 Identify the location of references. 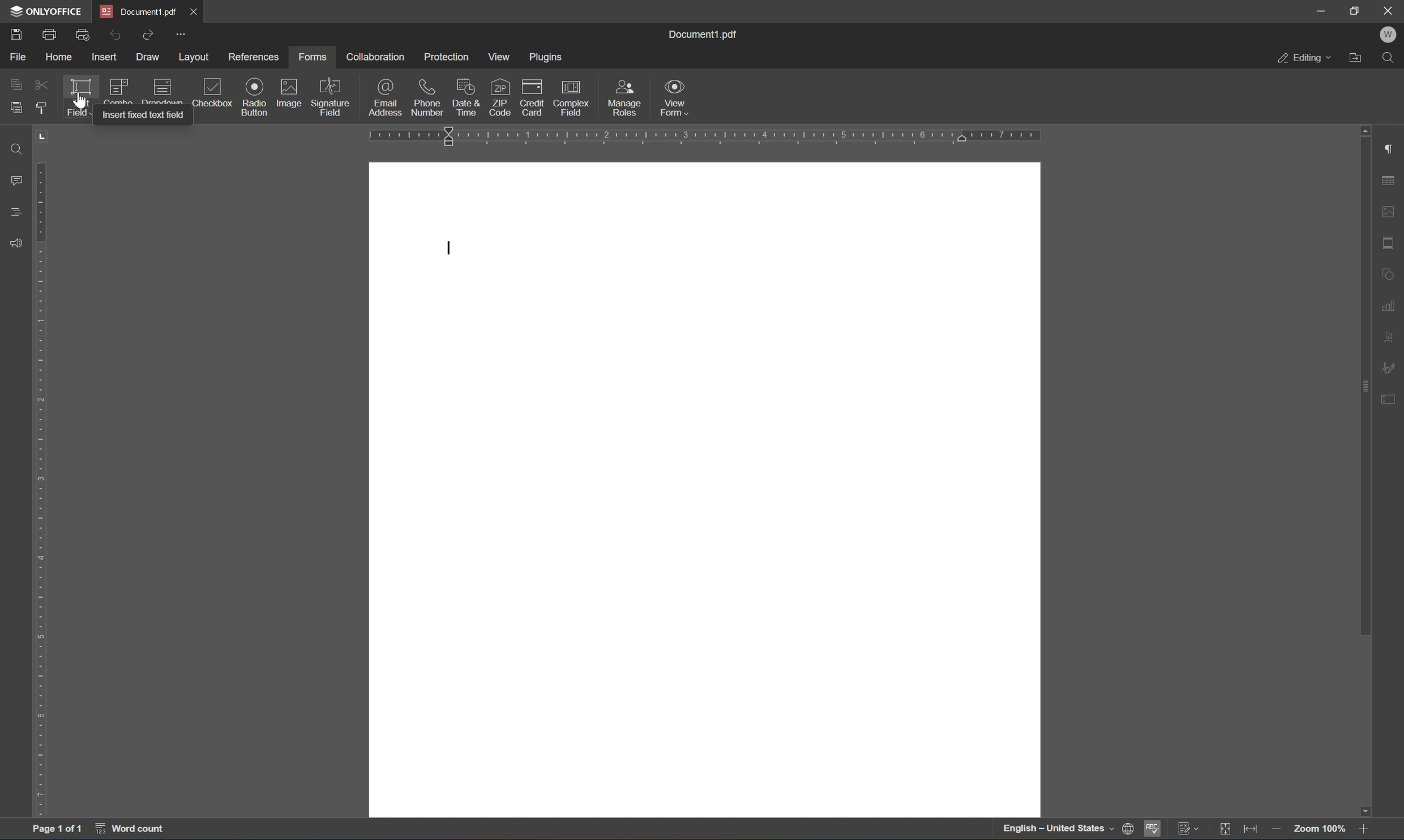
(254, 57).